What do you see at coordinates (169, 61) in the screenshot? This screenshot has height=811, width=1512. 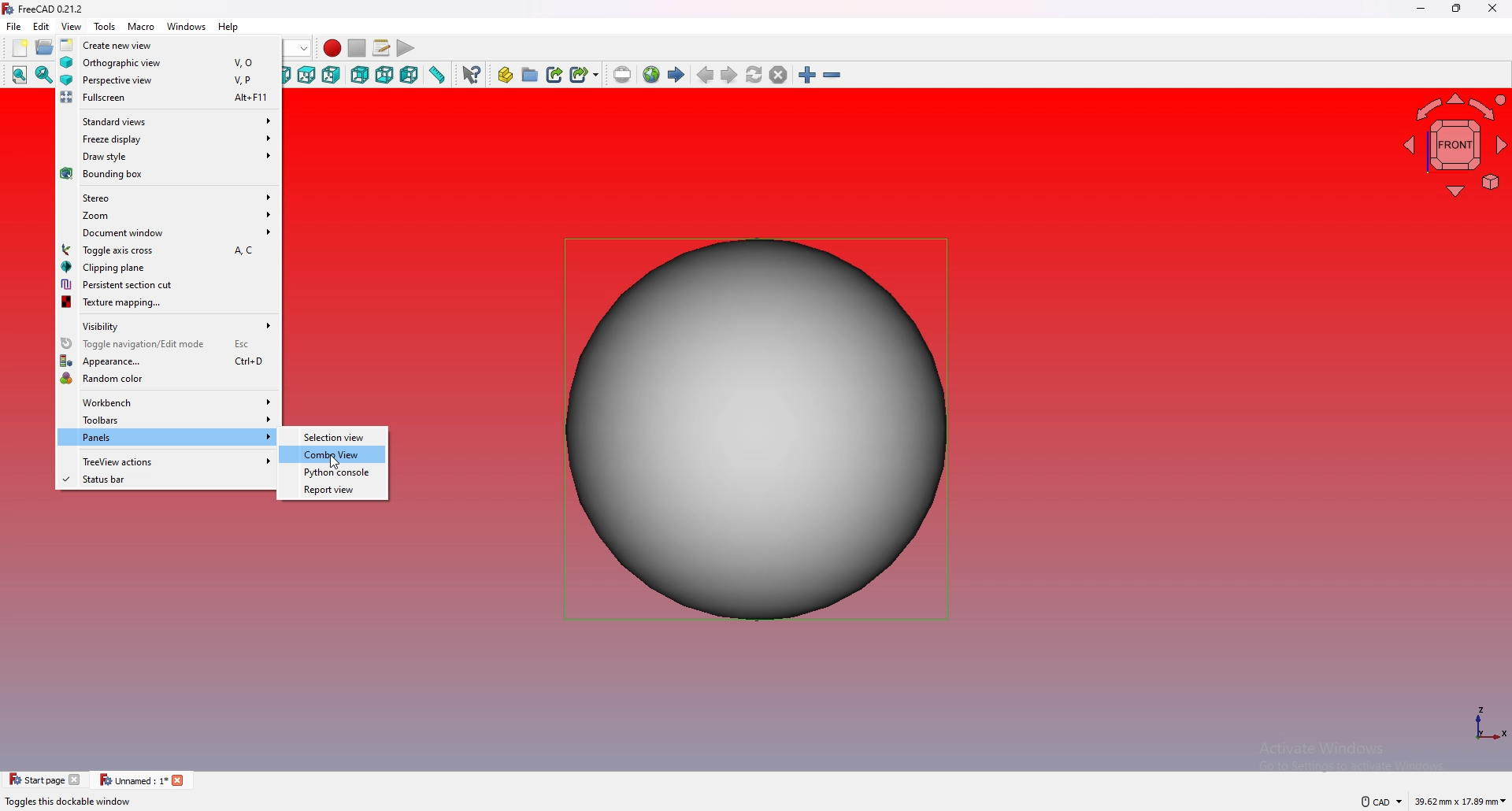 I see `orthographic view` at bounding box center [169, 61].